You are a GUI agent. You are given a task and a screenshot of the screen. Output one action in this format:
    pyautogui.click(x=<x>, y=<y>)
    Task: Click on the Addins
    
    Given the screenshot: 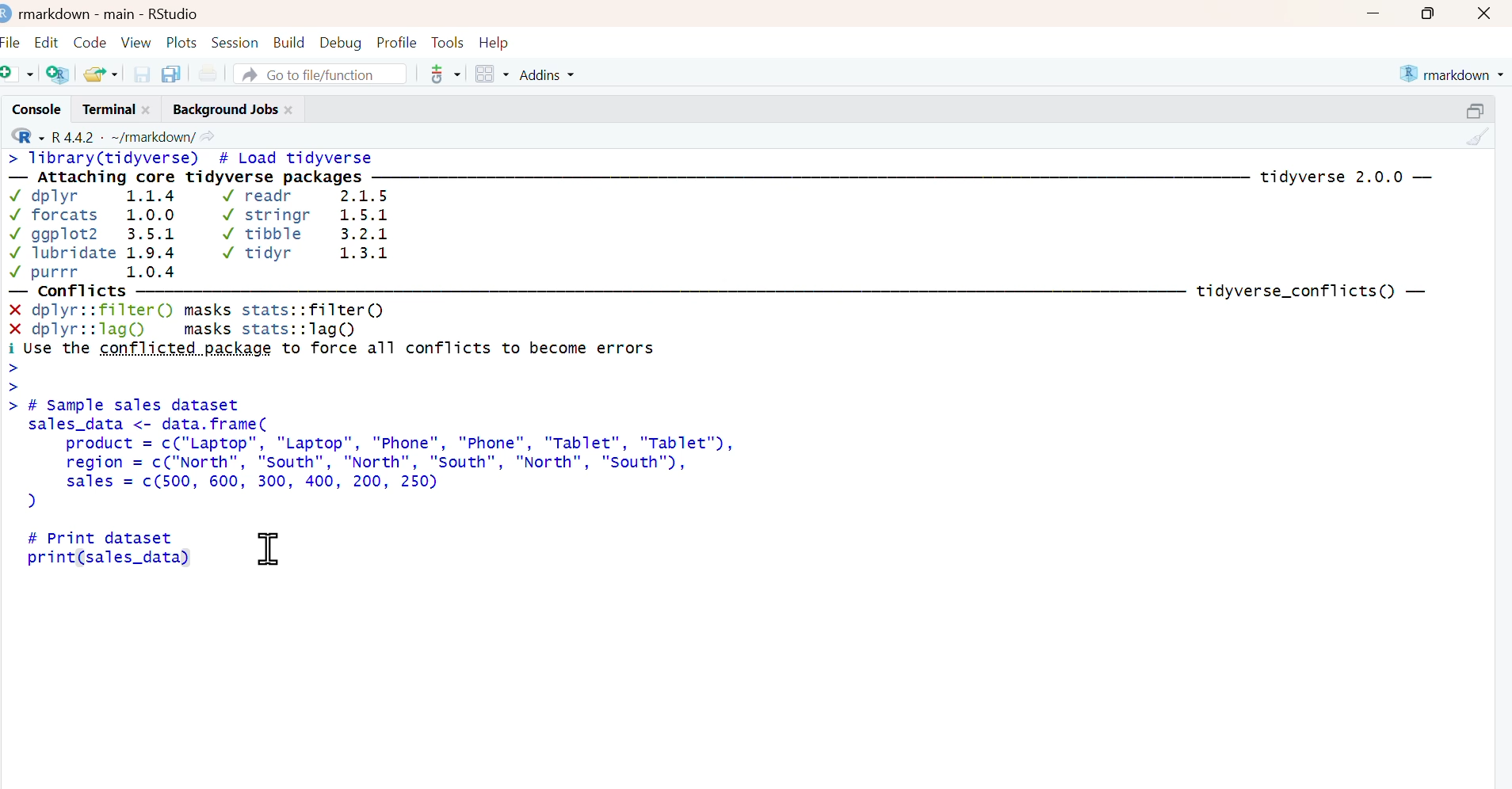 What is the action you would take?
    pyautogui.click(x=550, y=74)
    